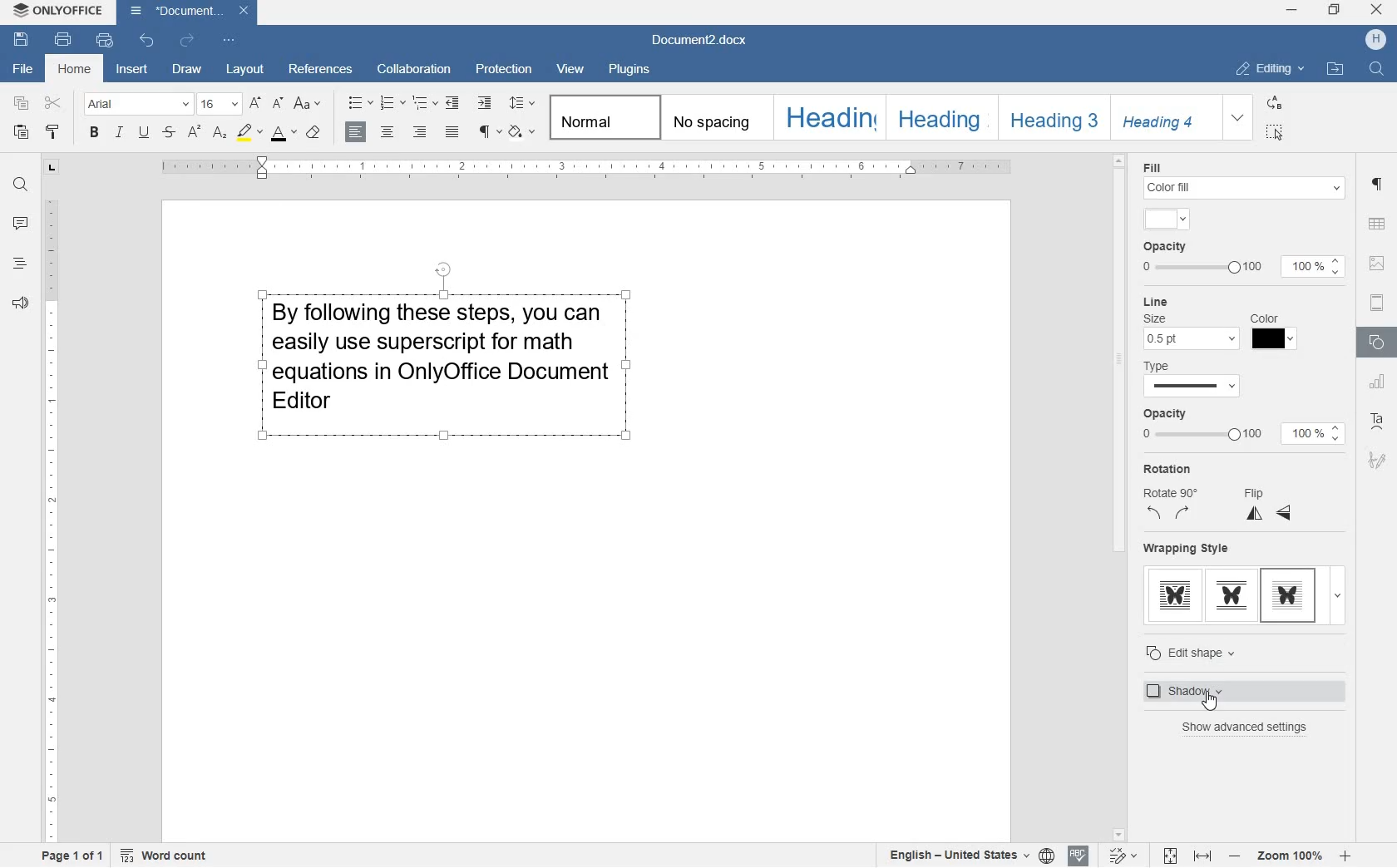  Describe the element at coordinates (1190, 323) in the screenshot. I see `line size` at that location.